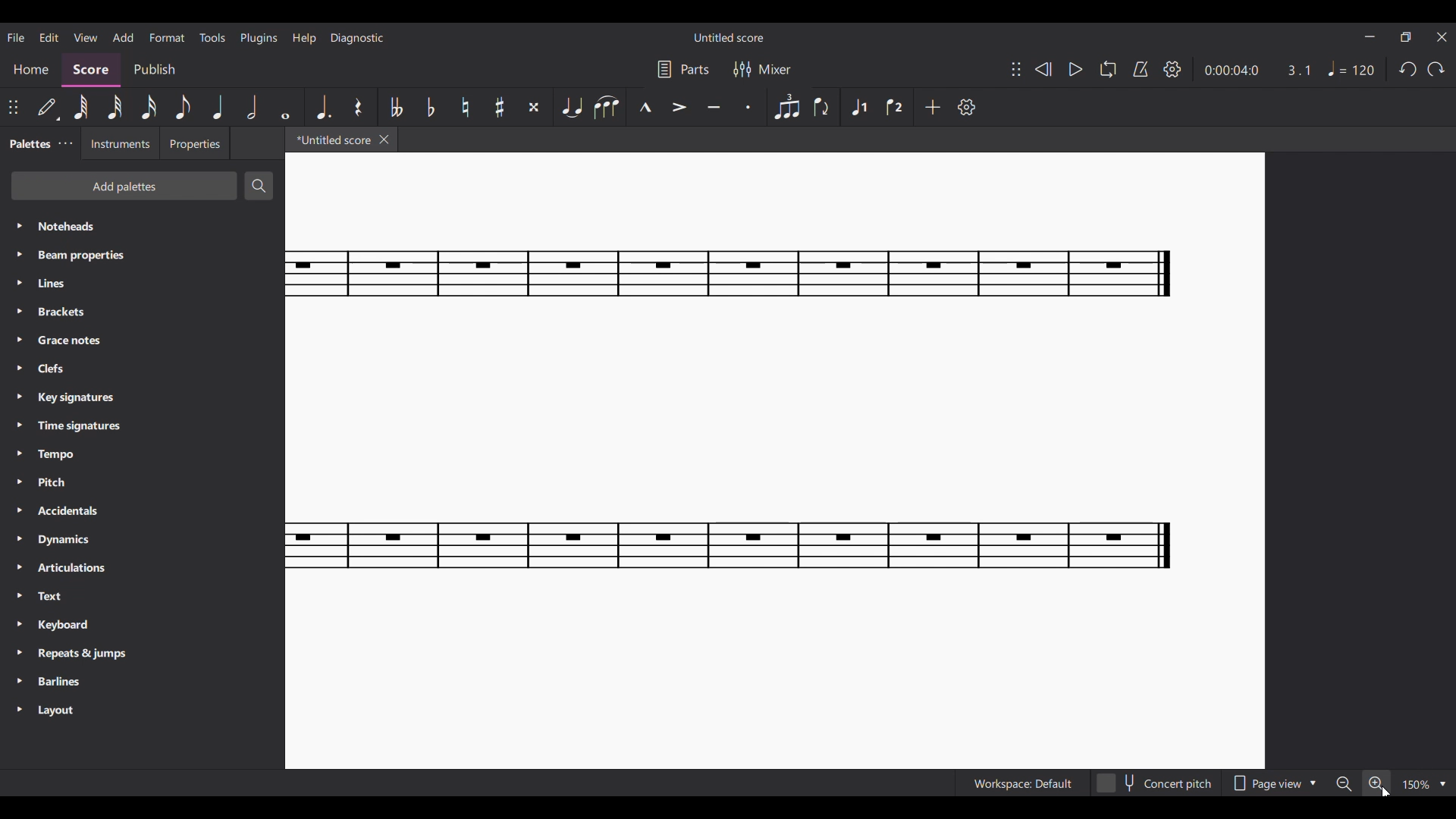 The image size is (1456, 819). I want to click on Current ratio, so click(1298, 71).